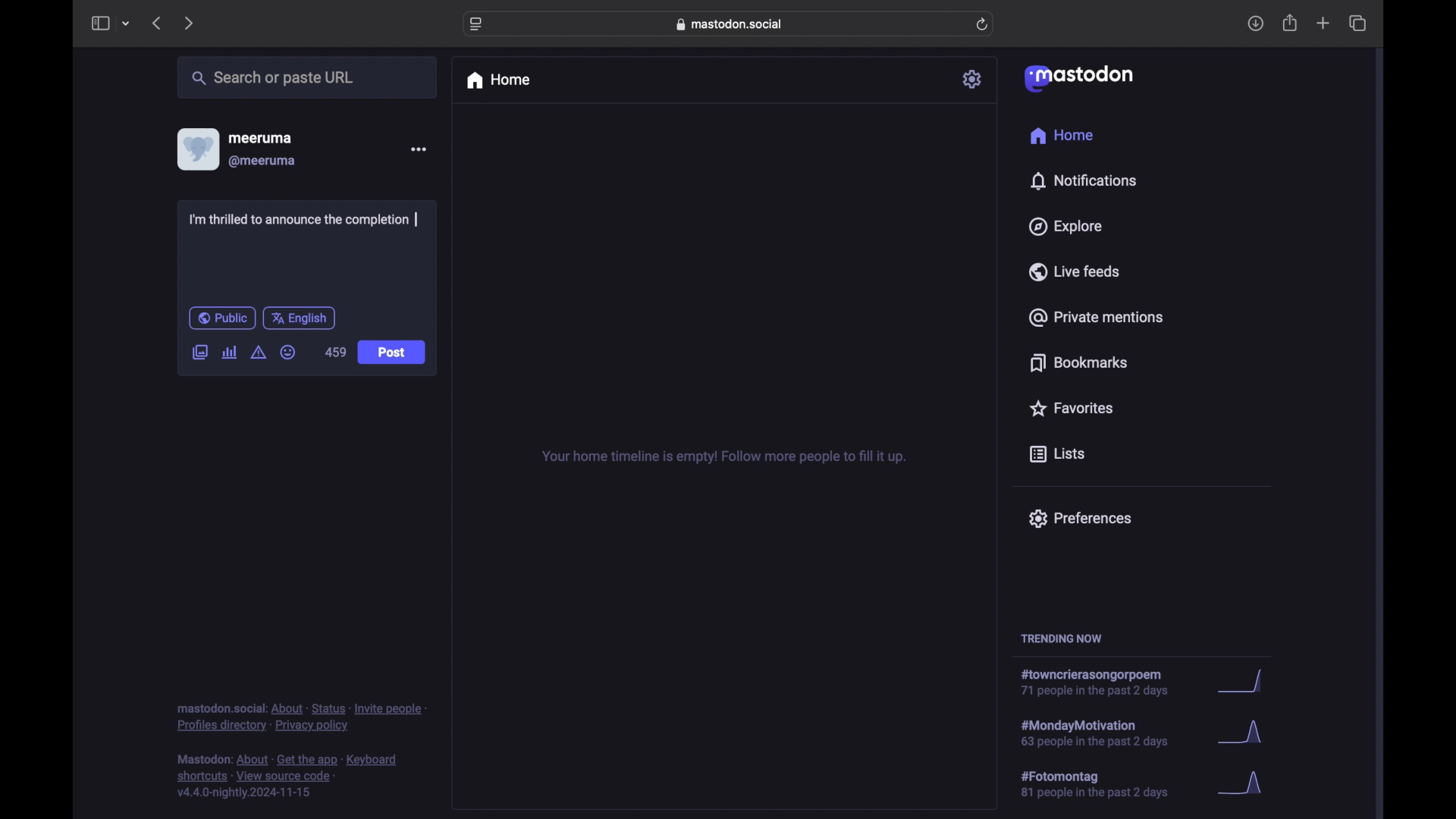  I want to click on meeruma, so click(260, 138).